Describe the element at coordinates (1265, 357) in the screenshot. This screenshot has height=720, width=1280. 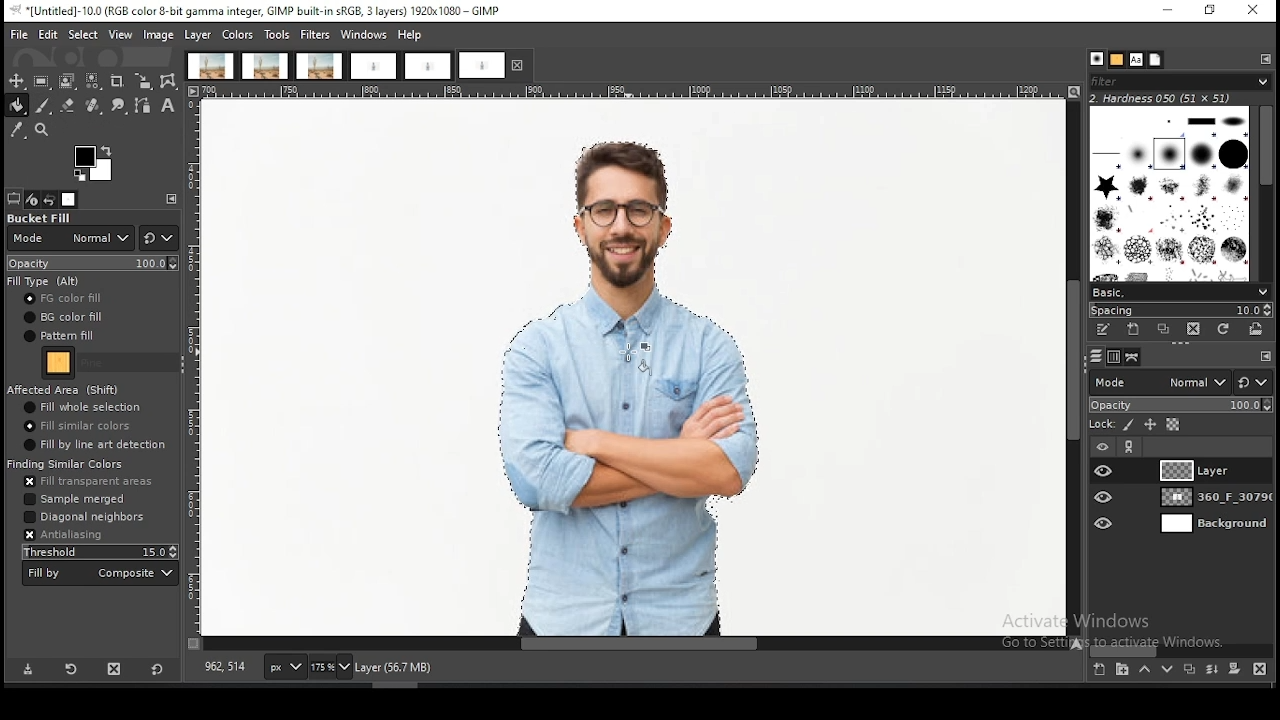
I see `configure this tab` at that location.